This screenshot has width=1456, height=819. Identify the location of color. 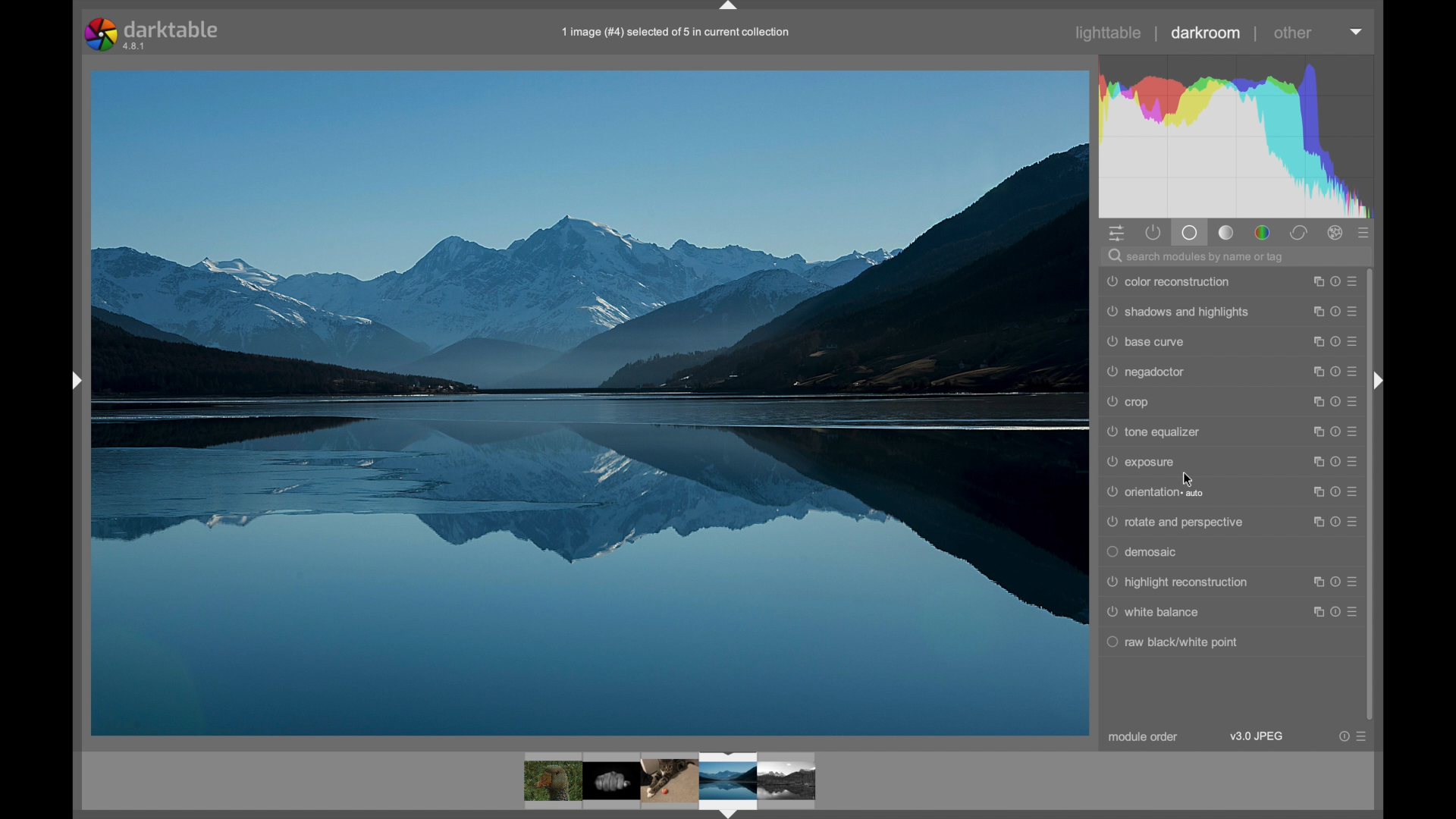
(1262, 233).